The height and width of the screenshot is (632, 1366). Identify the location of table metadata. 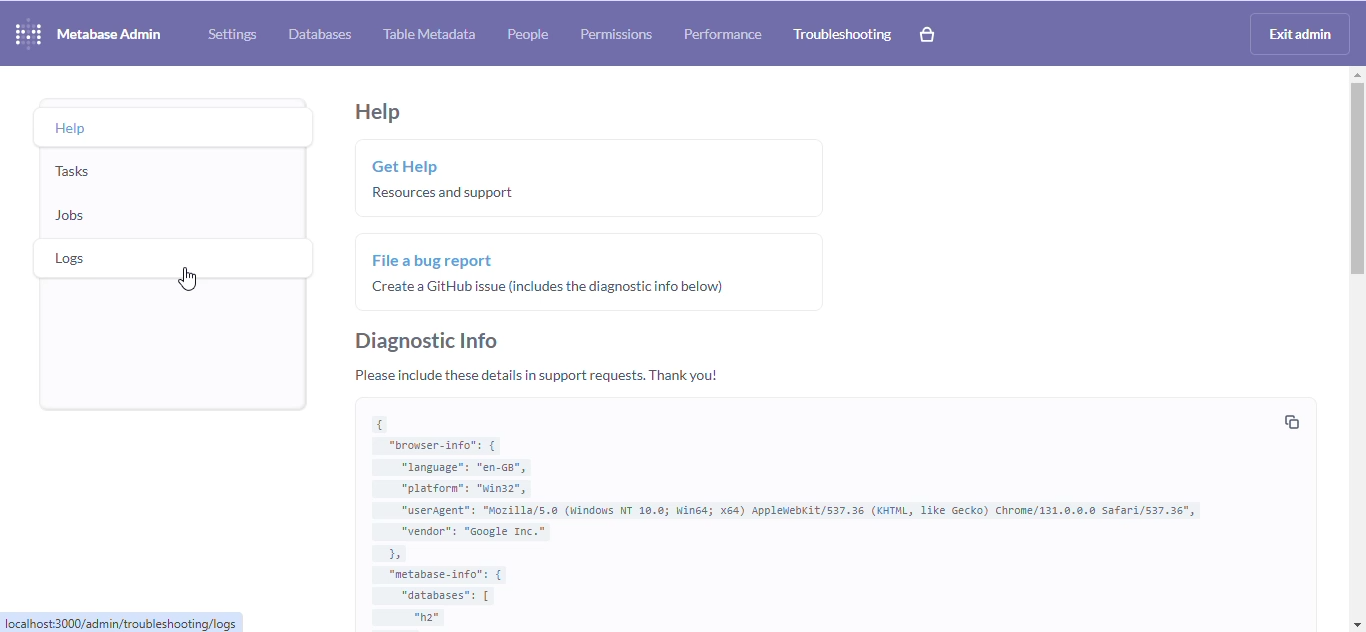
(429, 33).